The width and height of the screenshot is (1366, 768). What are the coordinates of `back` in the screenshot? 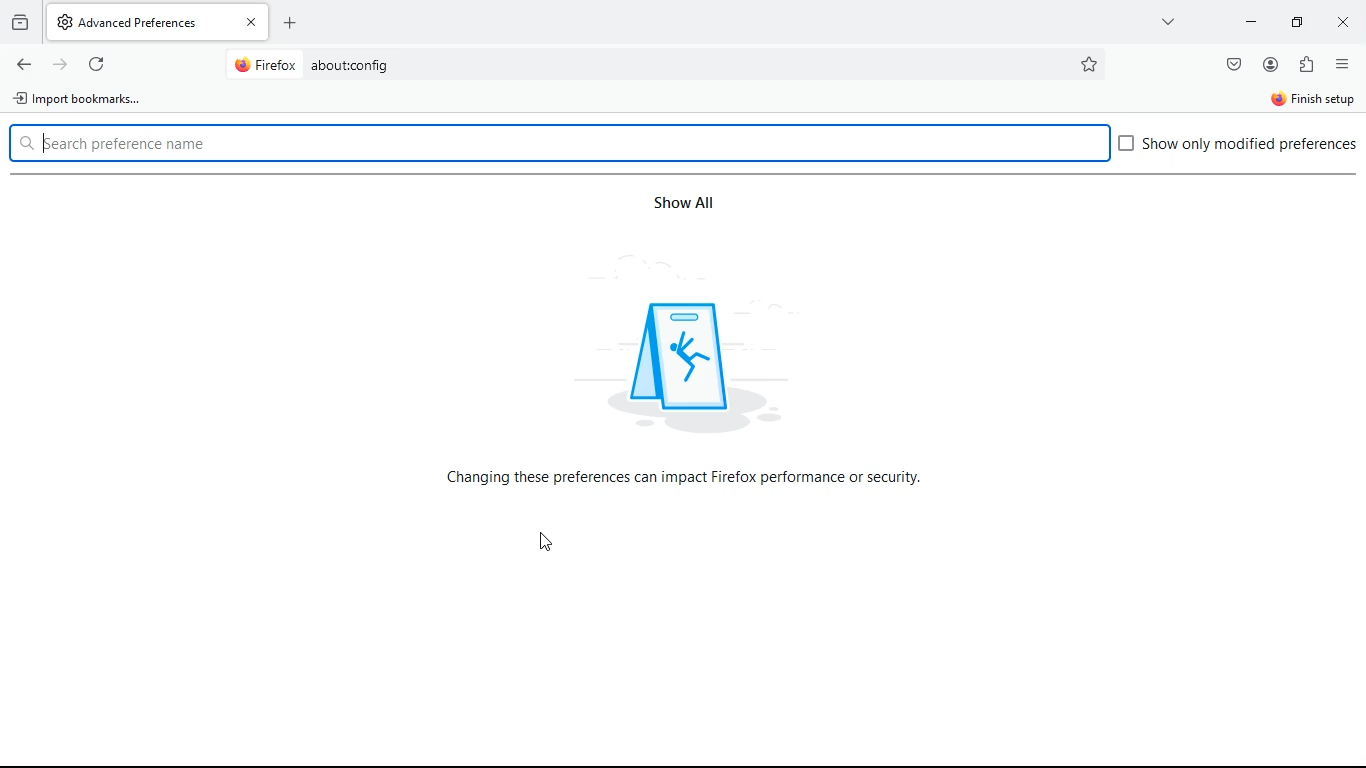 It's located at (23, 64).